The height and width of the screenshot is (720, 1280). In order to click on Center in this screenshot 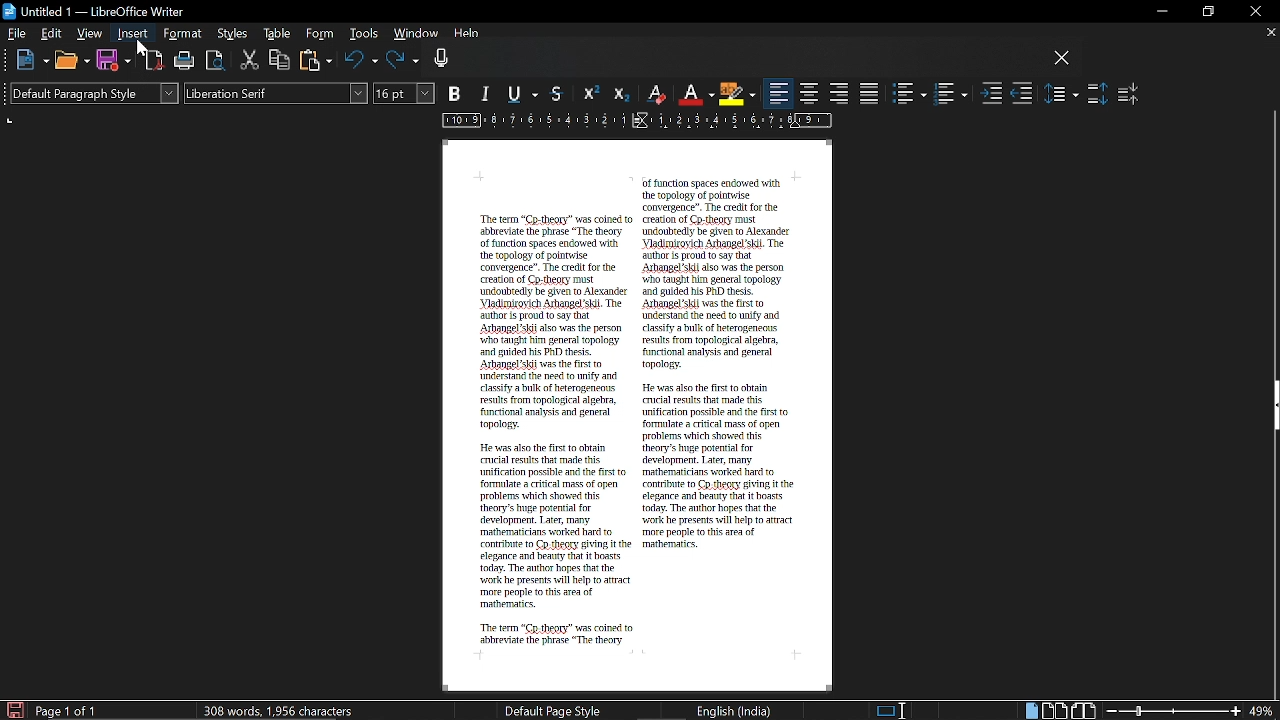, I will do `click(810, 93)`.